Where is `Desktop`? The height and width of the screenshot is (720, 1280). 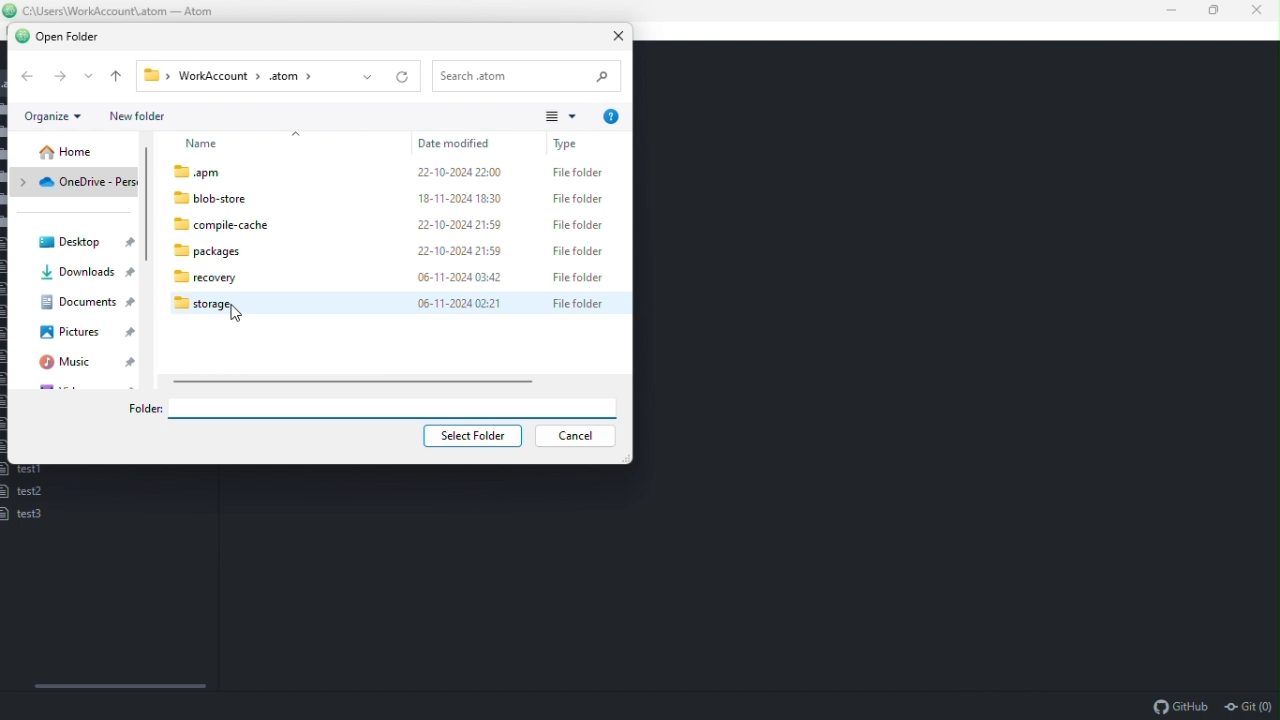
Desktop is located at coordinates (83, 240).